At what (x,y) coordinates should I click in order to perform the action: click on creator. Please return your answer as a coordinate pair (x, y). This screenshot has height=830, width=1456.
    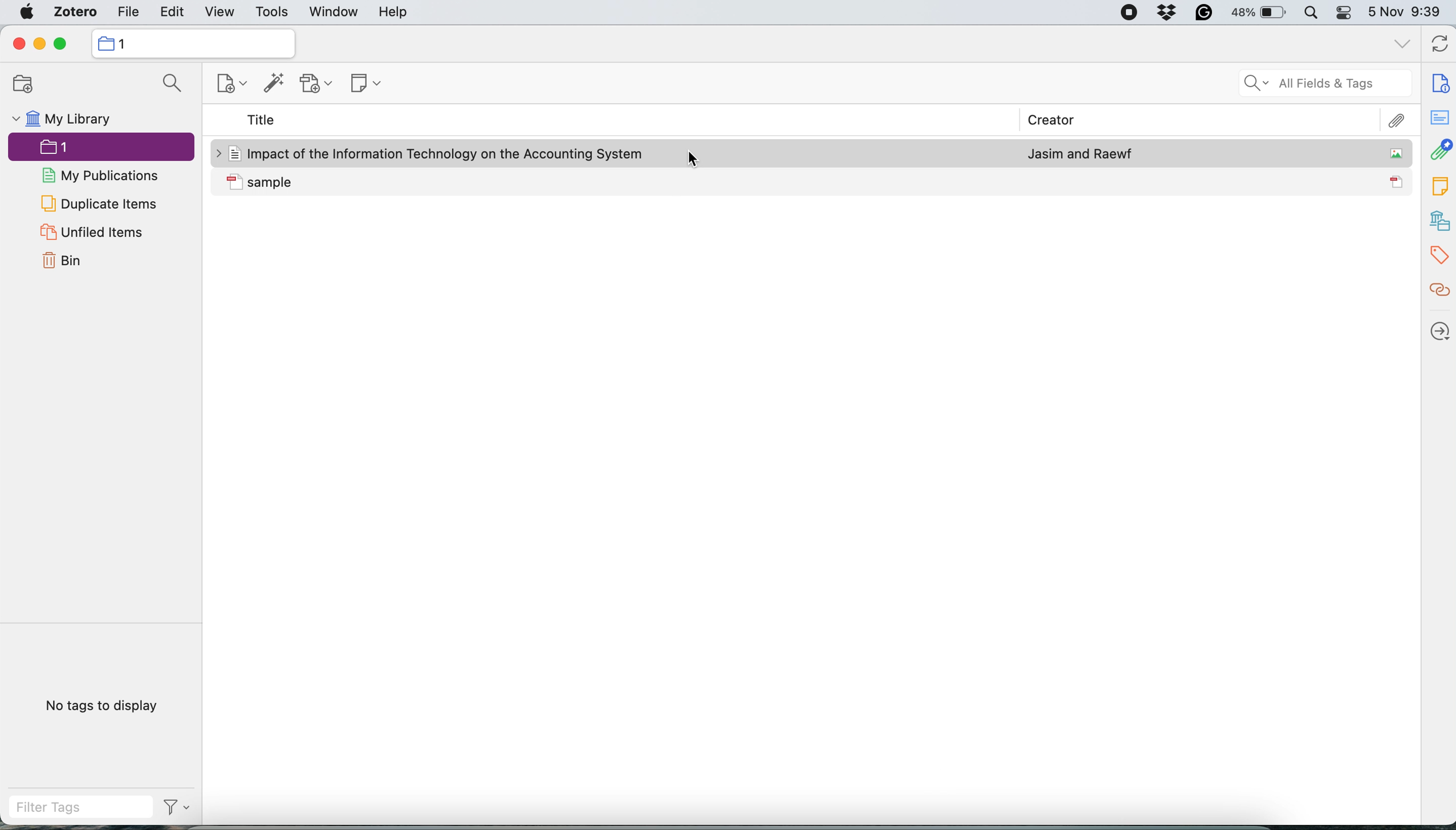
    Looking at the image, I should click on (1054, 119).